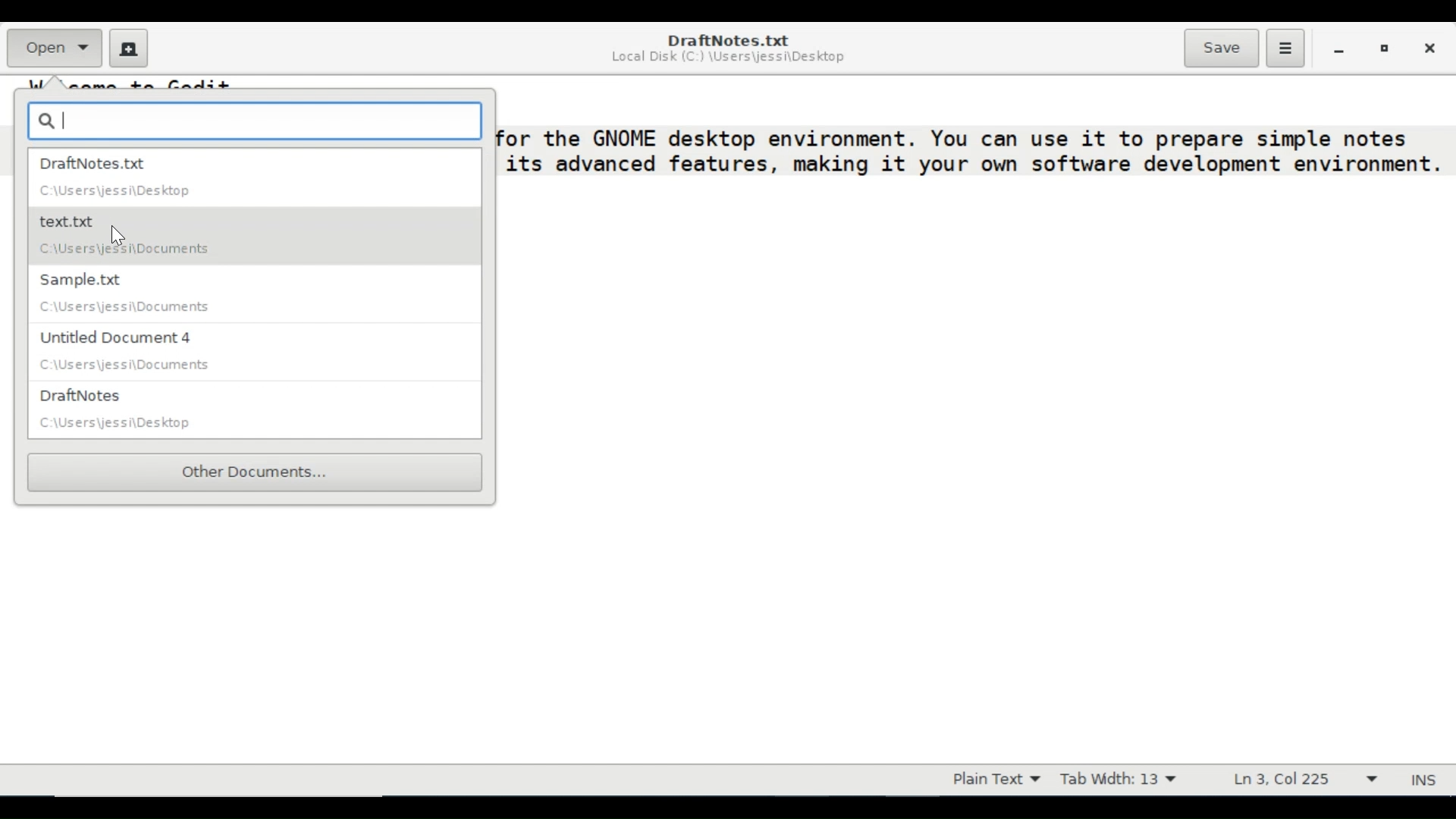 The image size is (1456, 819). I want to click on Enter document name, so click(256, 119).